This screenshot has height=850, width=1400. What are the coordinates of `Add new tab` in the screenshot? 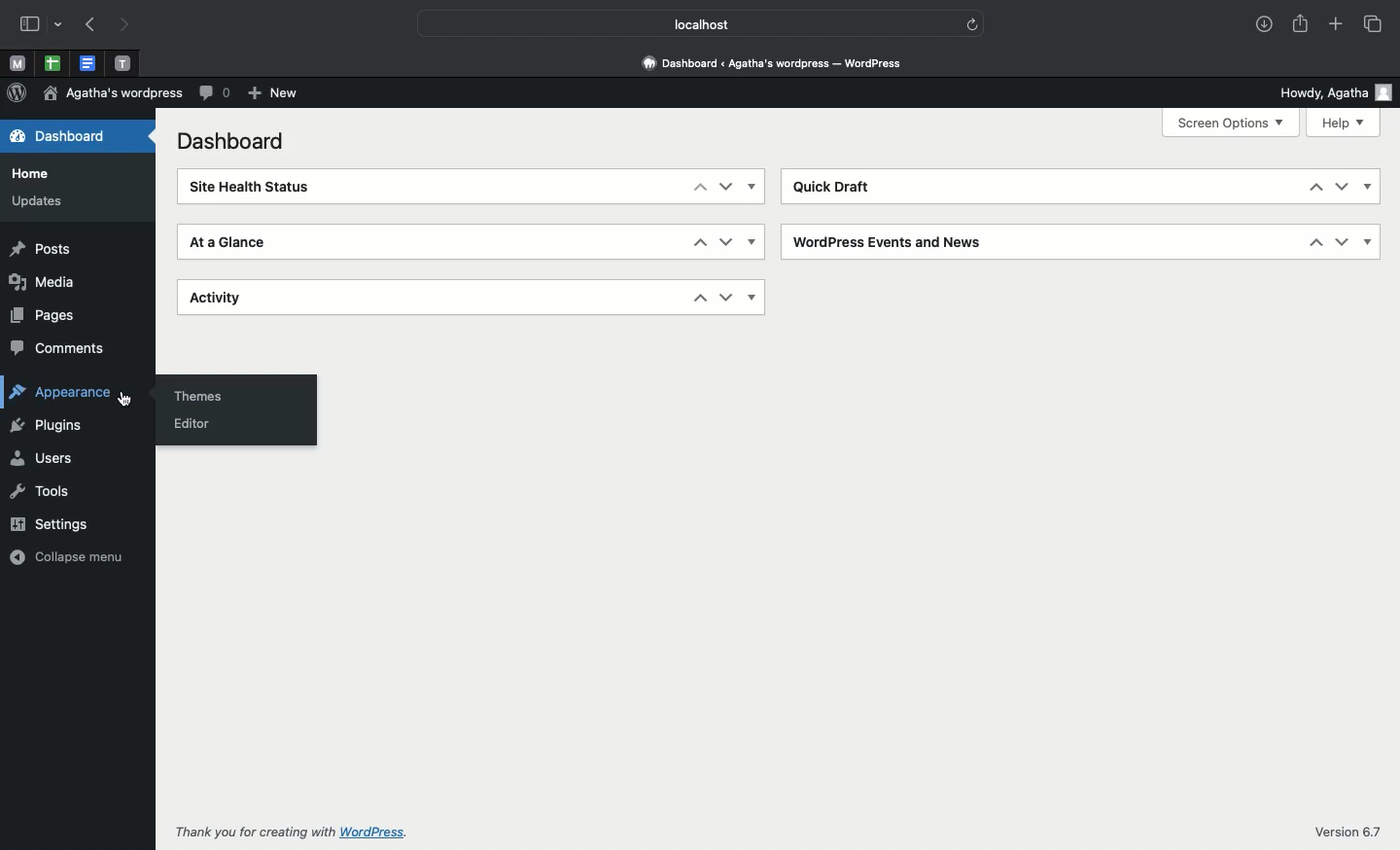 It's located at (1338, 26).